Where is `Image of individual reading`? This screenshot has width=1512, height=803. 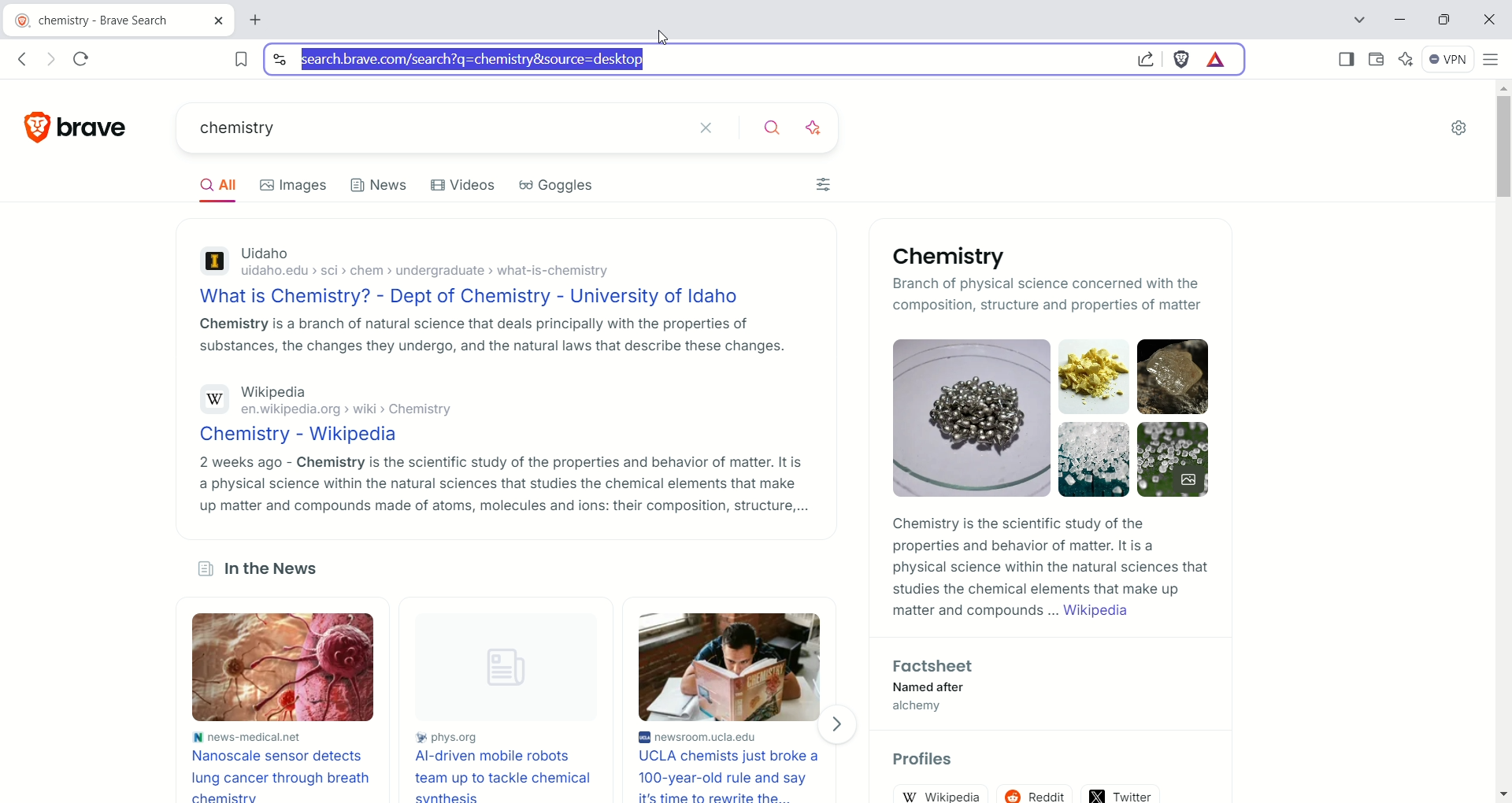 Image of individual reading is located at coordinates (728, 667).